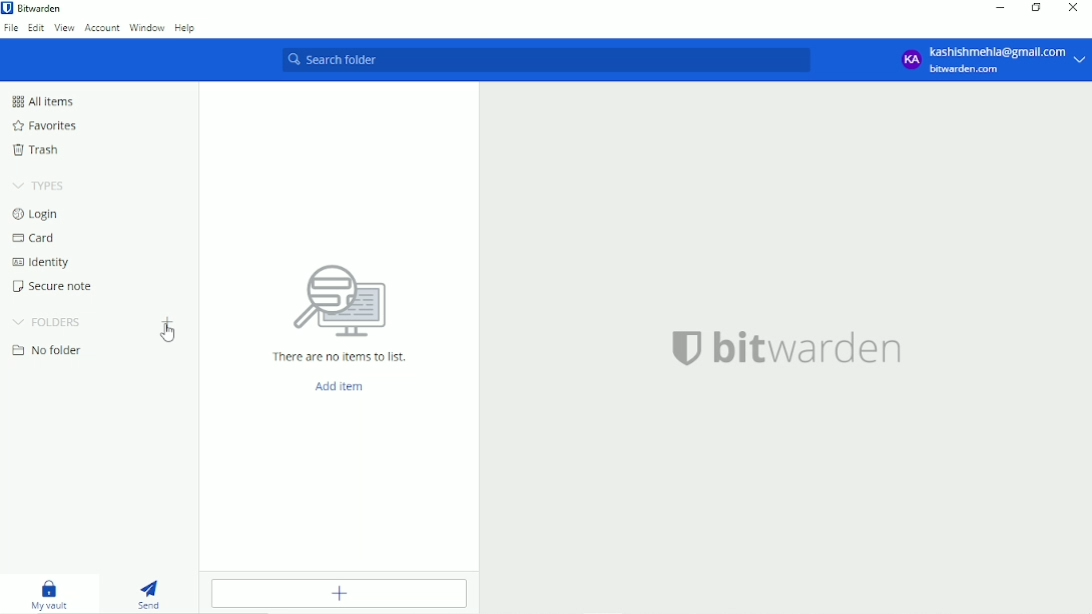 The width and height of the screenshot is (1092, 614). Describe the element at coordinates (548, 60) in the screenshot. I see `Search folder` at that location.